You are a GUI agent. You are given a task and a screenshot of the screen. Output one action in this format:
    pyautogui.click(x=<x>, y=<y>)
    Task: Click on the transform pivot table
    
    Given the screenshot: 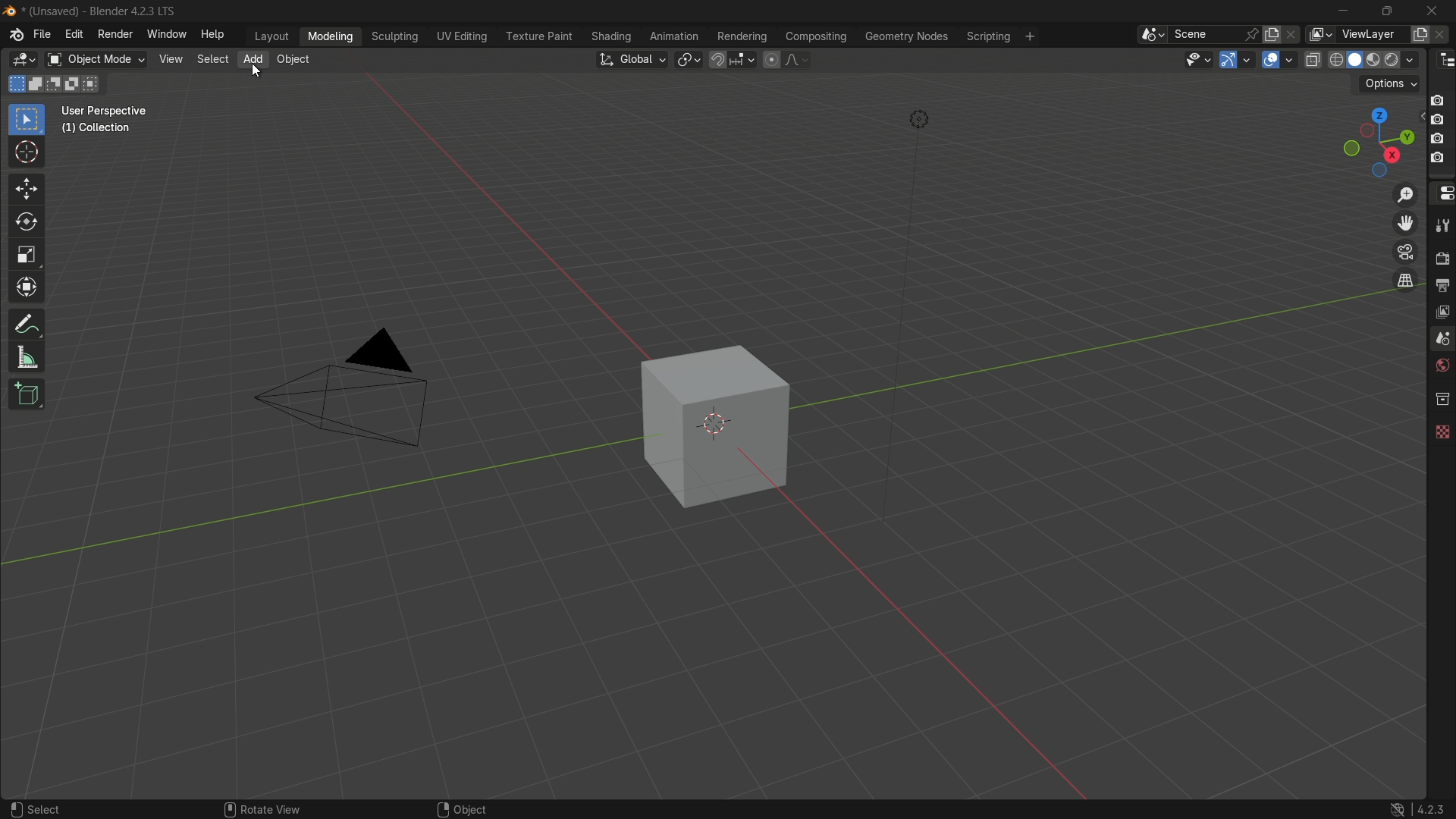 What is the action you would take?
    pyautogui.click(x=690, y=60)
    